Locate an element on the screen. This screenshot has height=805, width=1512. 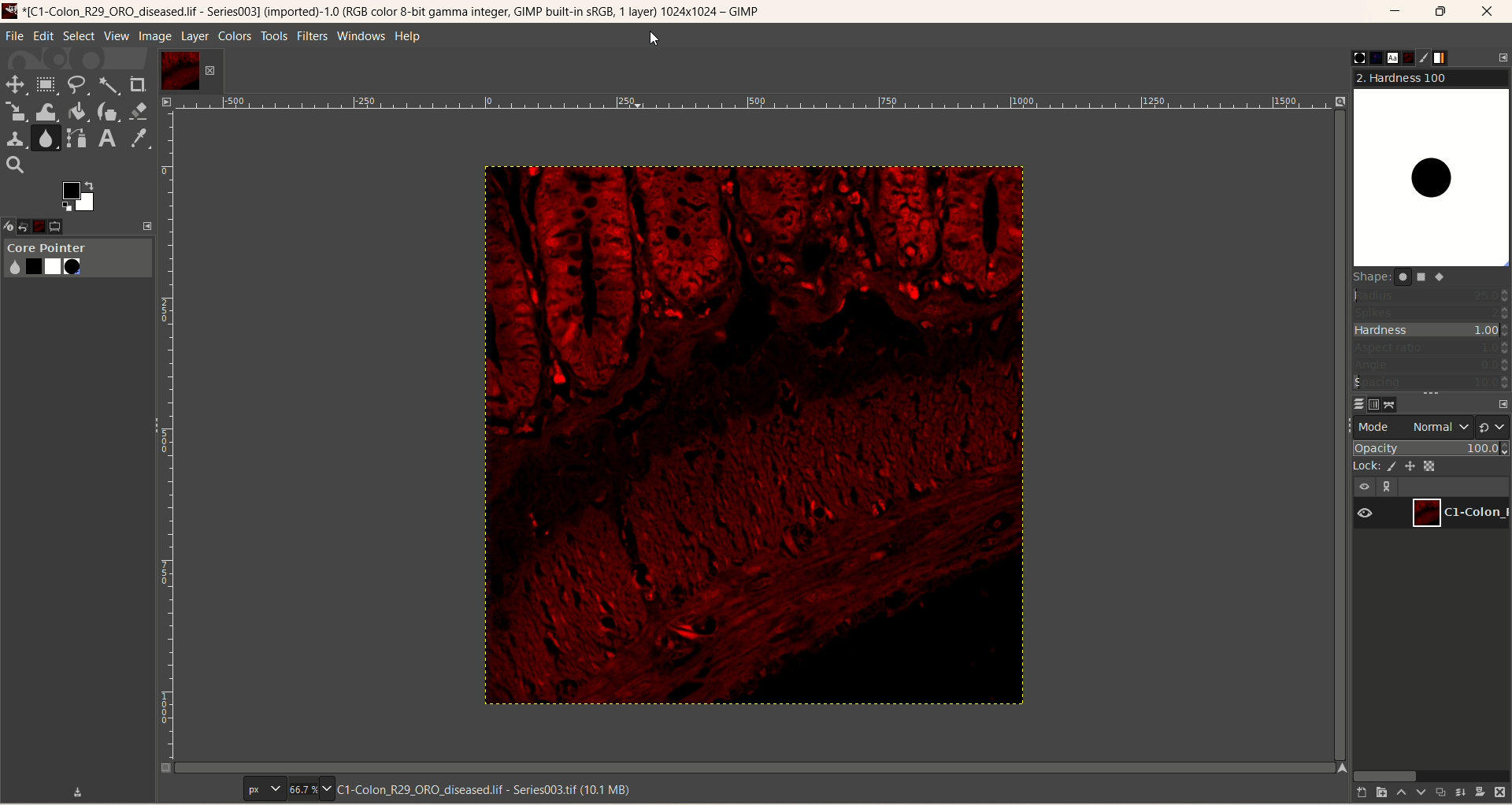
windows is located at coordinates (364, 35).